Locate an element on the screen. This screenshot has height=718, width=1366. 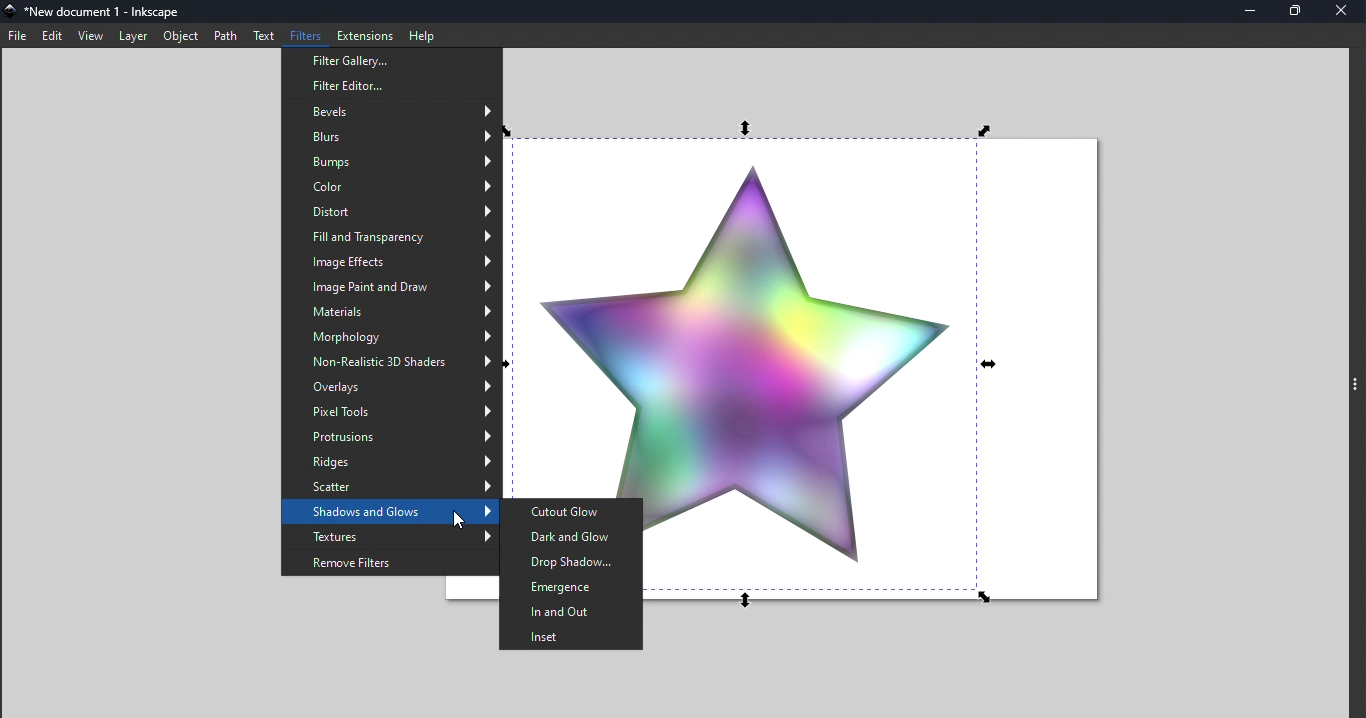
Minimize is located at coordinates (1245, 12).